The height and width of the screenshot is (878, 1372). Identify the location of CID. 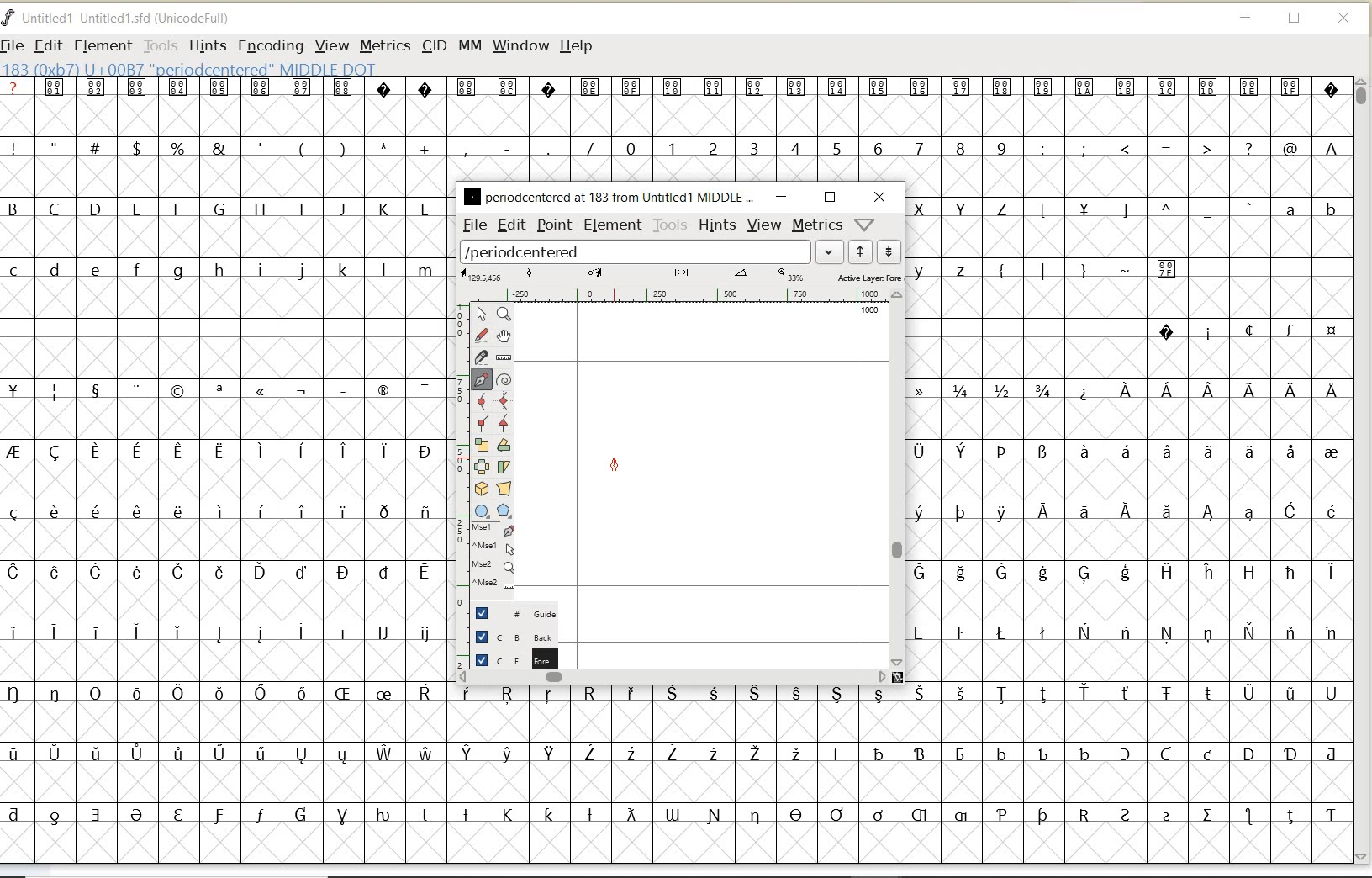
(434, 48).